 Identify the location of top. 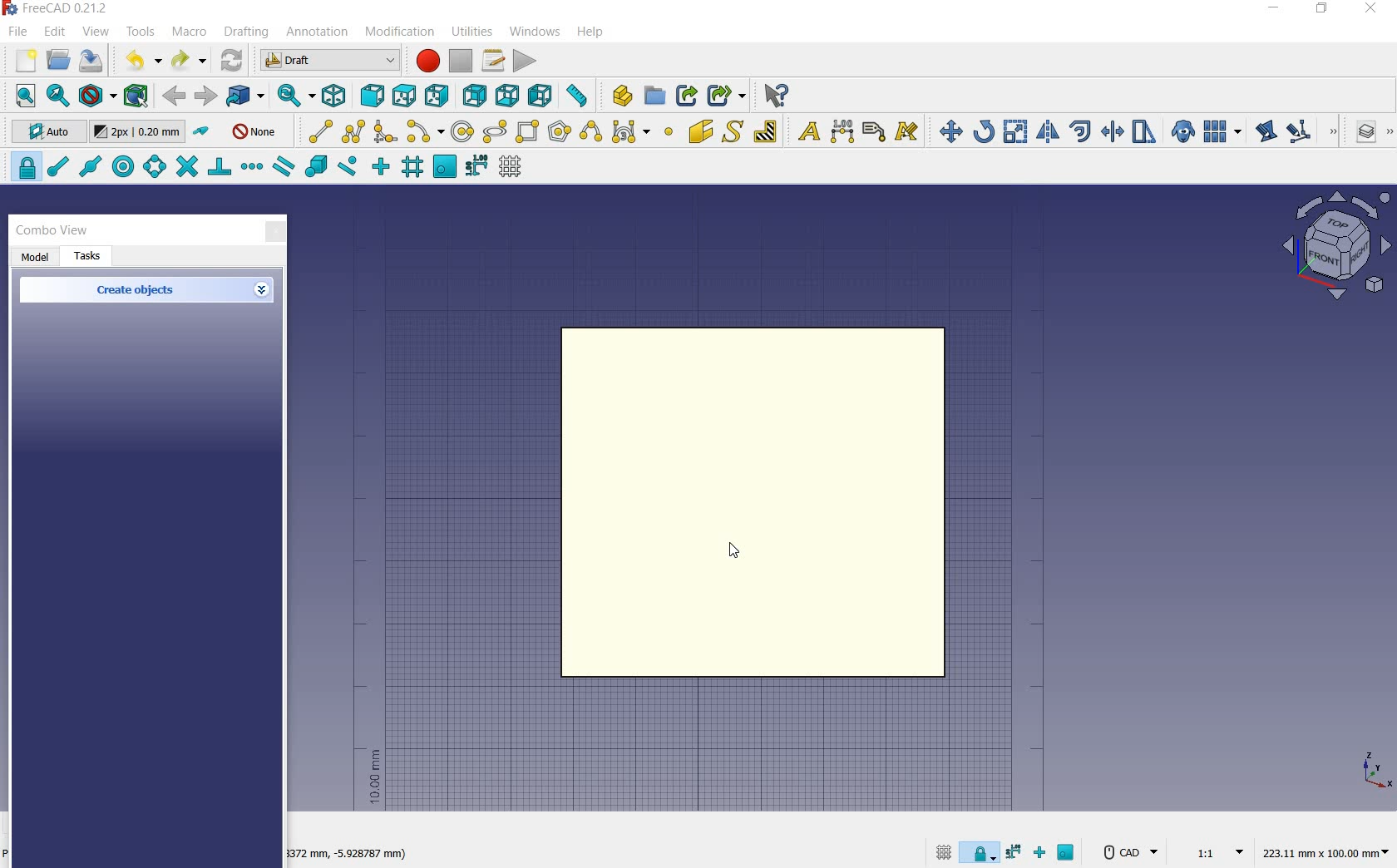
(405, 95).